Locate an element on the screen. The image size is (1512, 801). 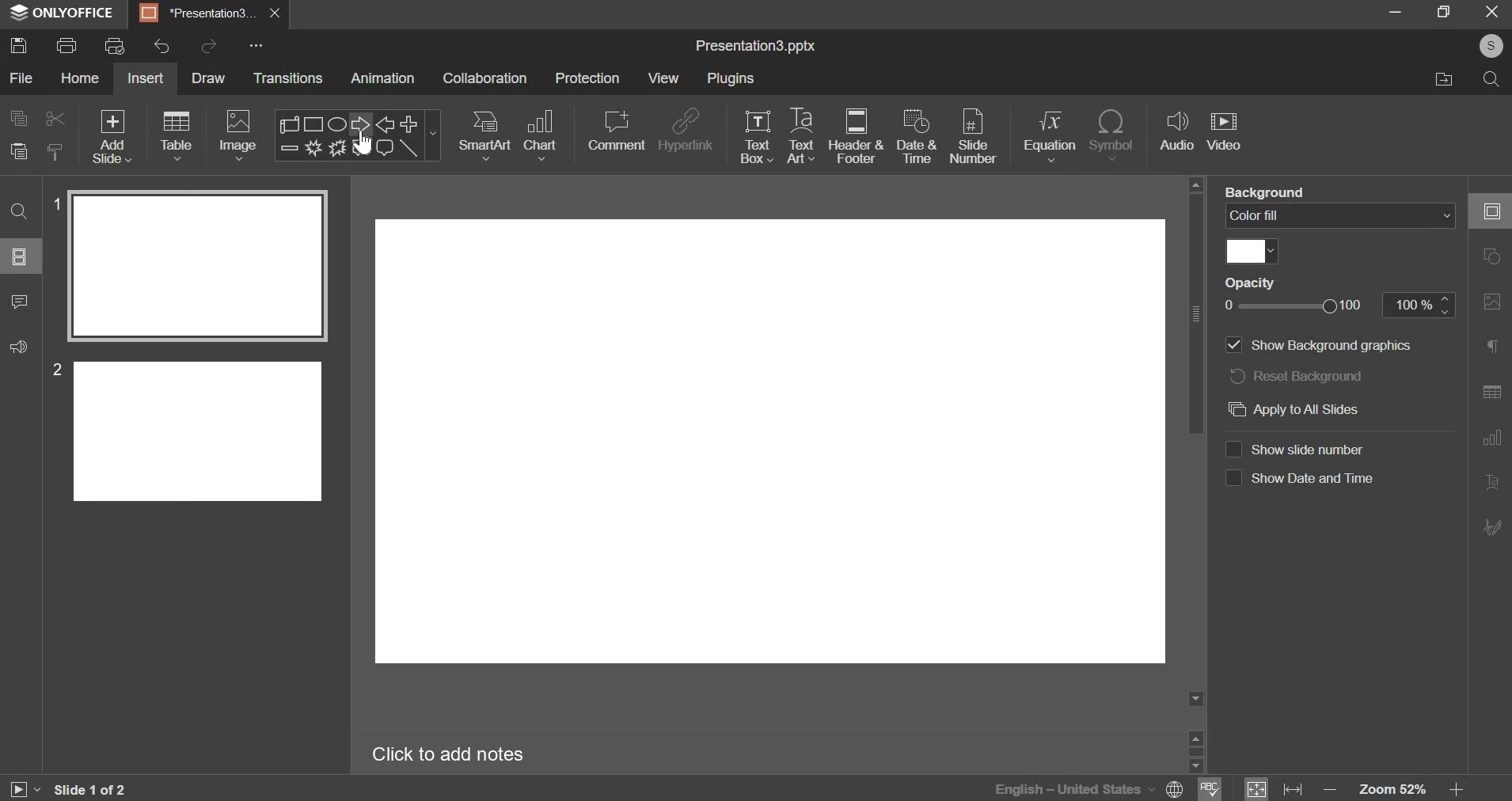
animation is located at coordinates (382, 78).